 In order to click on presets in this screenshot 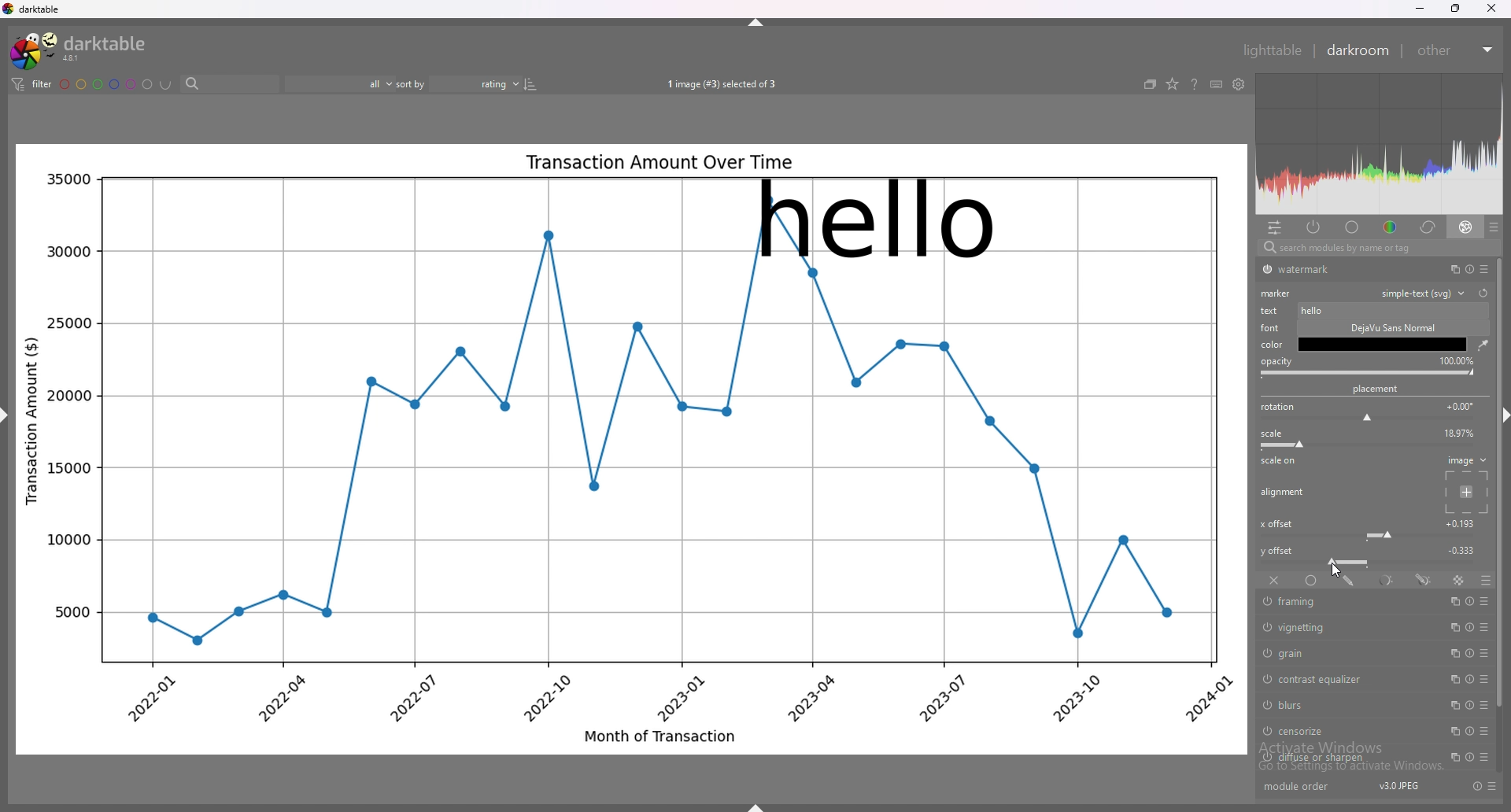, I will do `click(1485, 654)`.